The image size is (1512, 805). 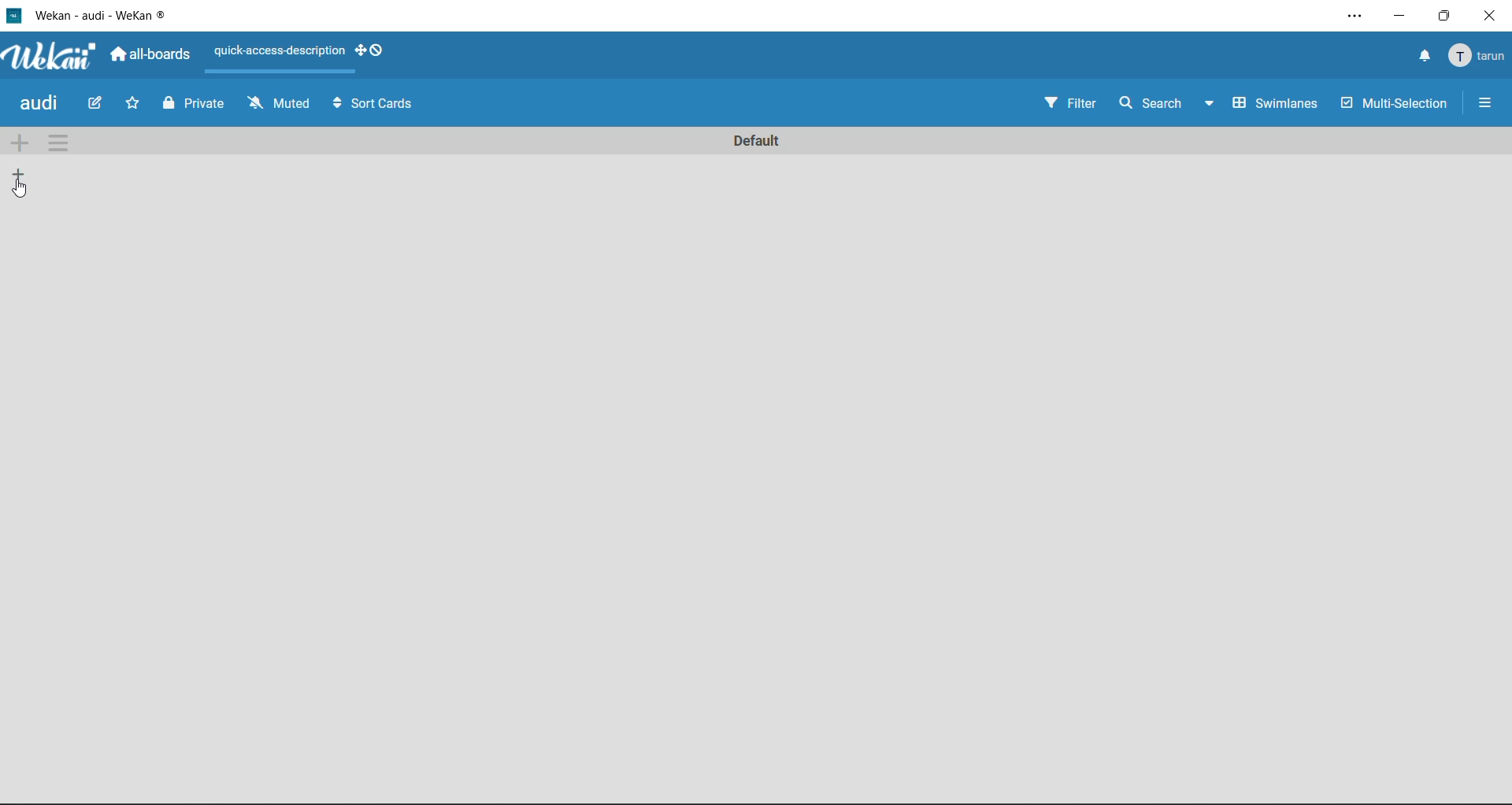 I want to click on Wekan - audi - WeKan, so click(x=98, y=14).